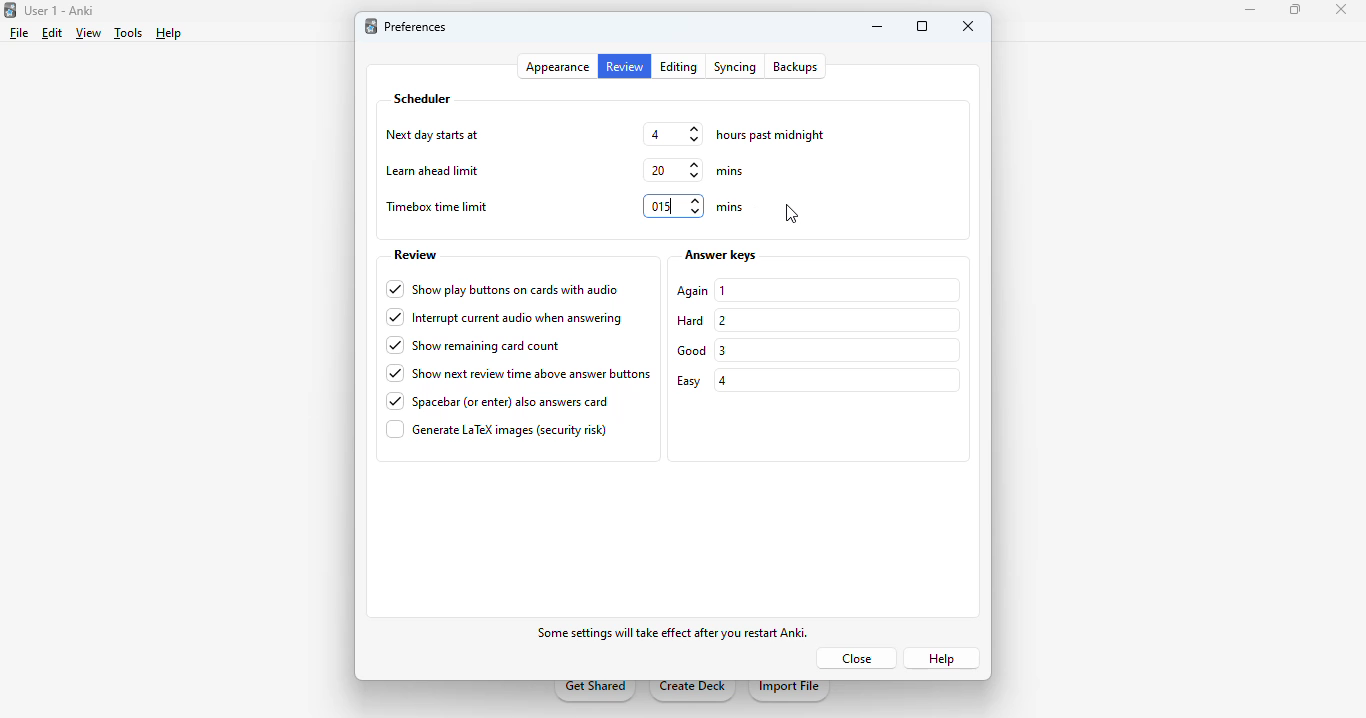 This screenshot has height=718, width=1366. What do you see at coordinates (128, 33) in the screenshot?
I see `tools` at bounding box center [128, 33].